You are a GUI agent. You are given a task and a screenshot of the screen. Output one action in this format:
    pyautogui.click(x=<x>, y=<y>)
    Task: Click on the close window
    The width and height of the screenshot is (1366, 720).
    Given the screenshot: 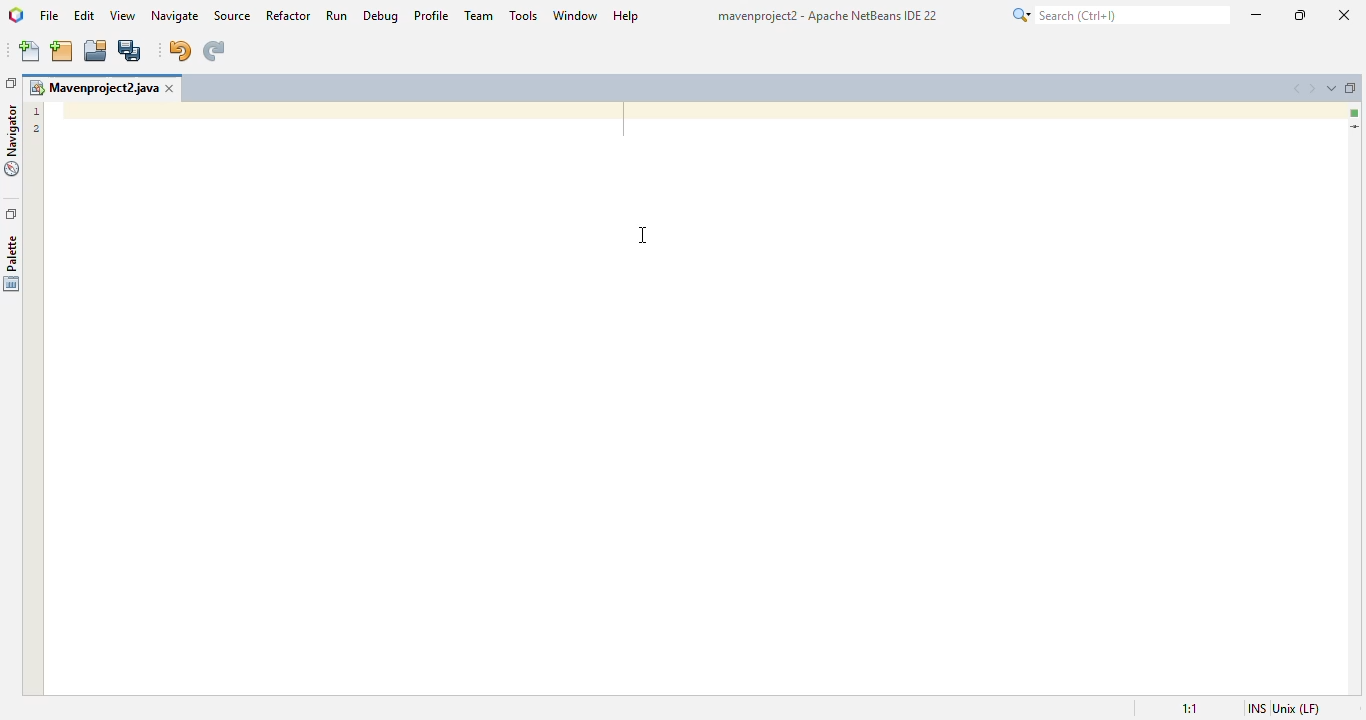 What is the action you would take?
    pyautogui.click(x=170, y=88)
    